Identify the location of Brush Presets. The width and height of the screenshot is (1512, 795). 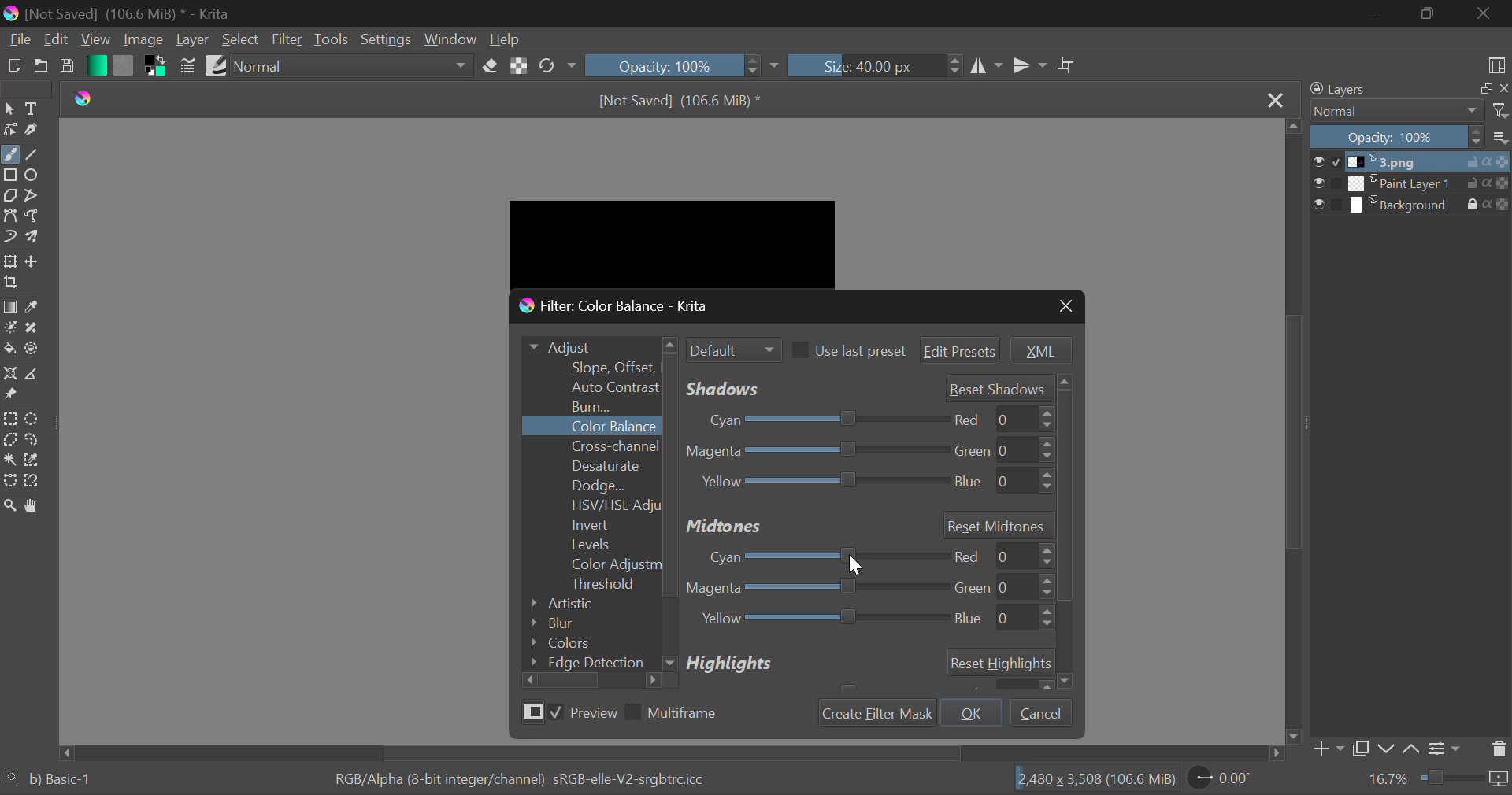
(217, 65).